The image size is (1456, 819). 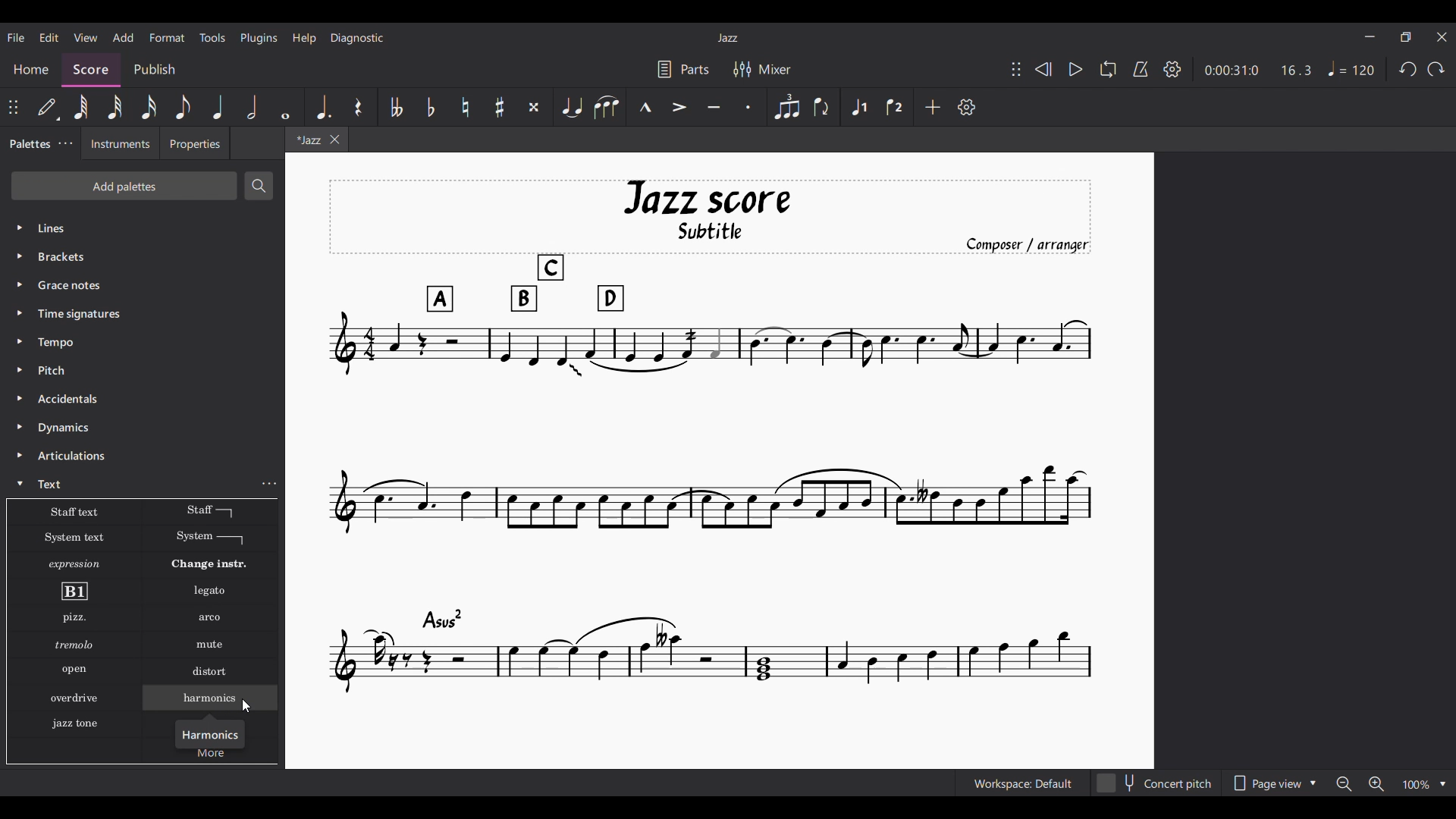 I want to click on Metronome, so click(x=1141, y=69).